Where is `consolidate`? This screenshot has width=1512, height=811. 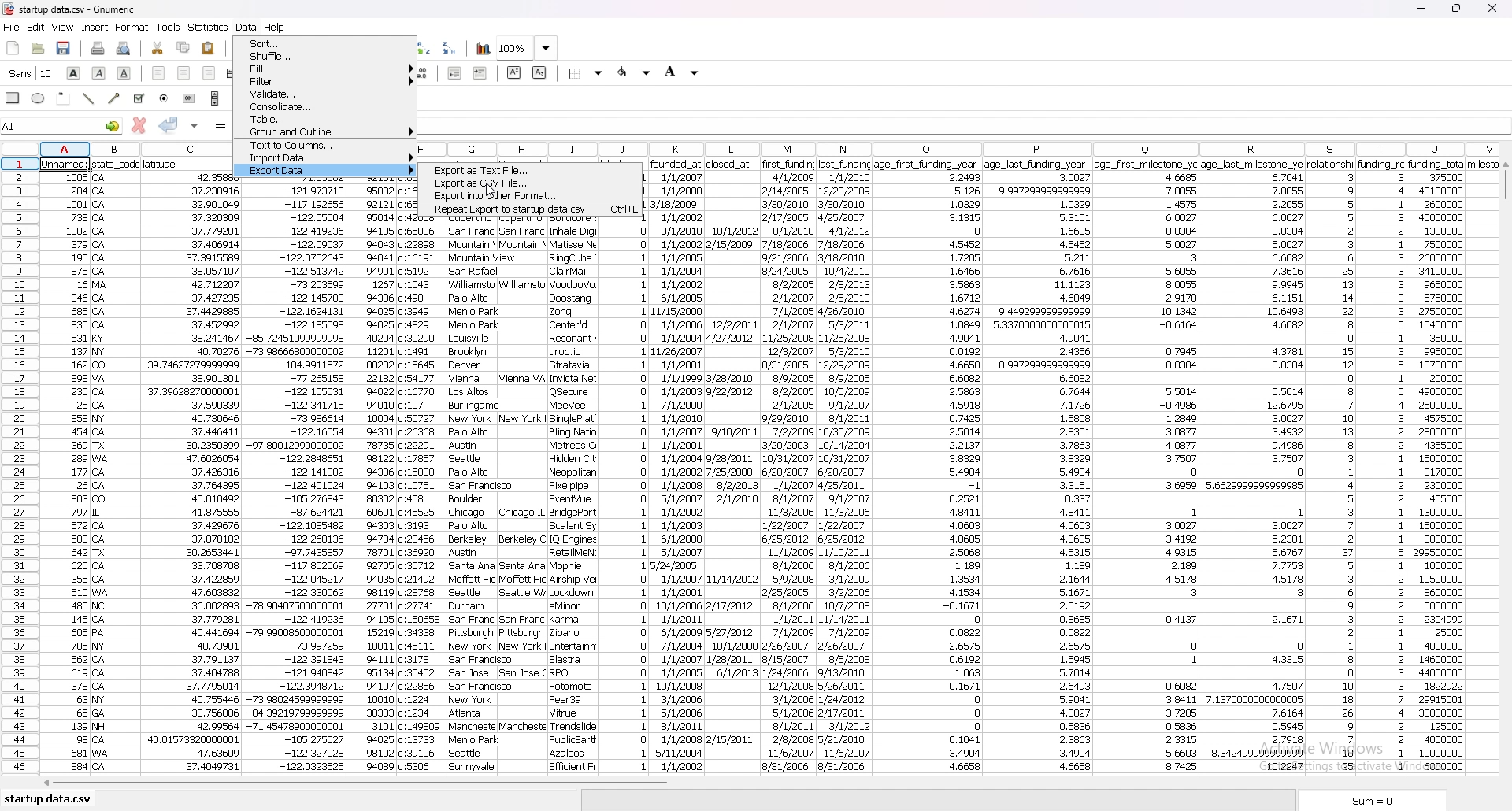 consolidate is located at coordinates (326, 106).